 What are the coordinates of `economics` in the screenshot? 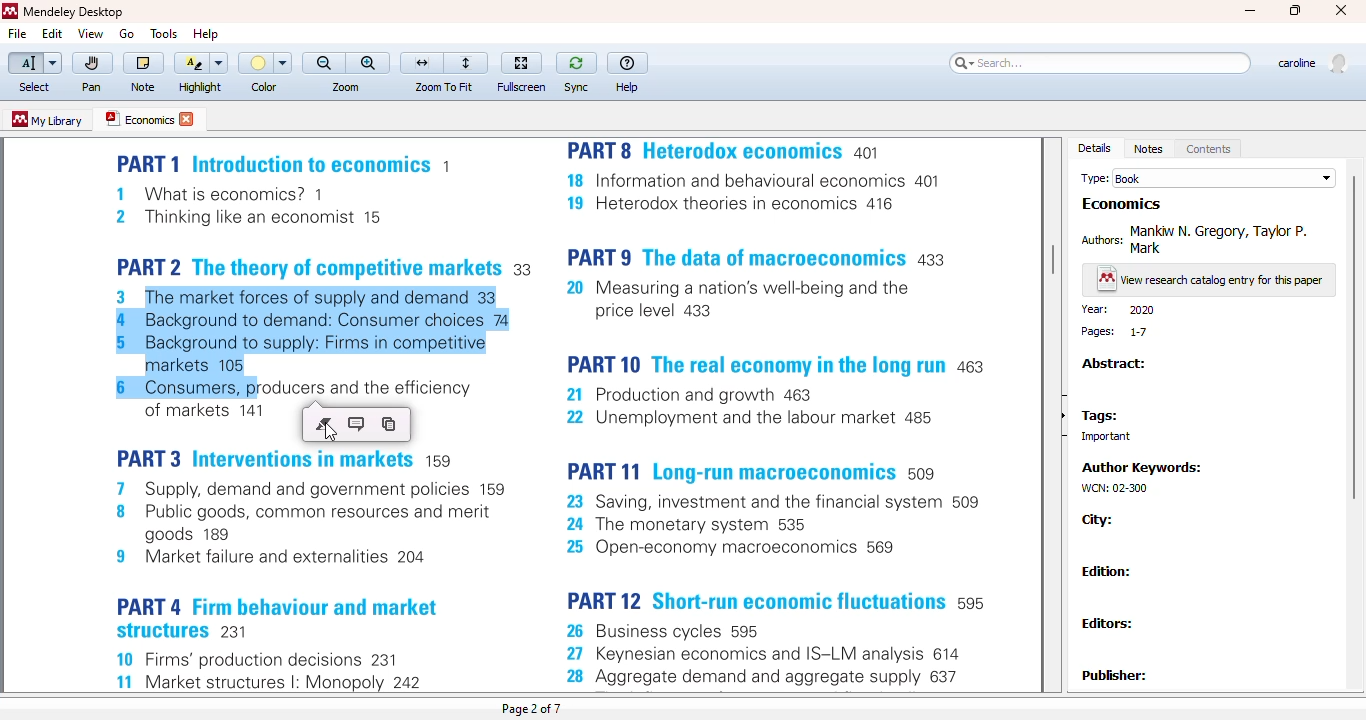 It's located at (138, 118).